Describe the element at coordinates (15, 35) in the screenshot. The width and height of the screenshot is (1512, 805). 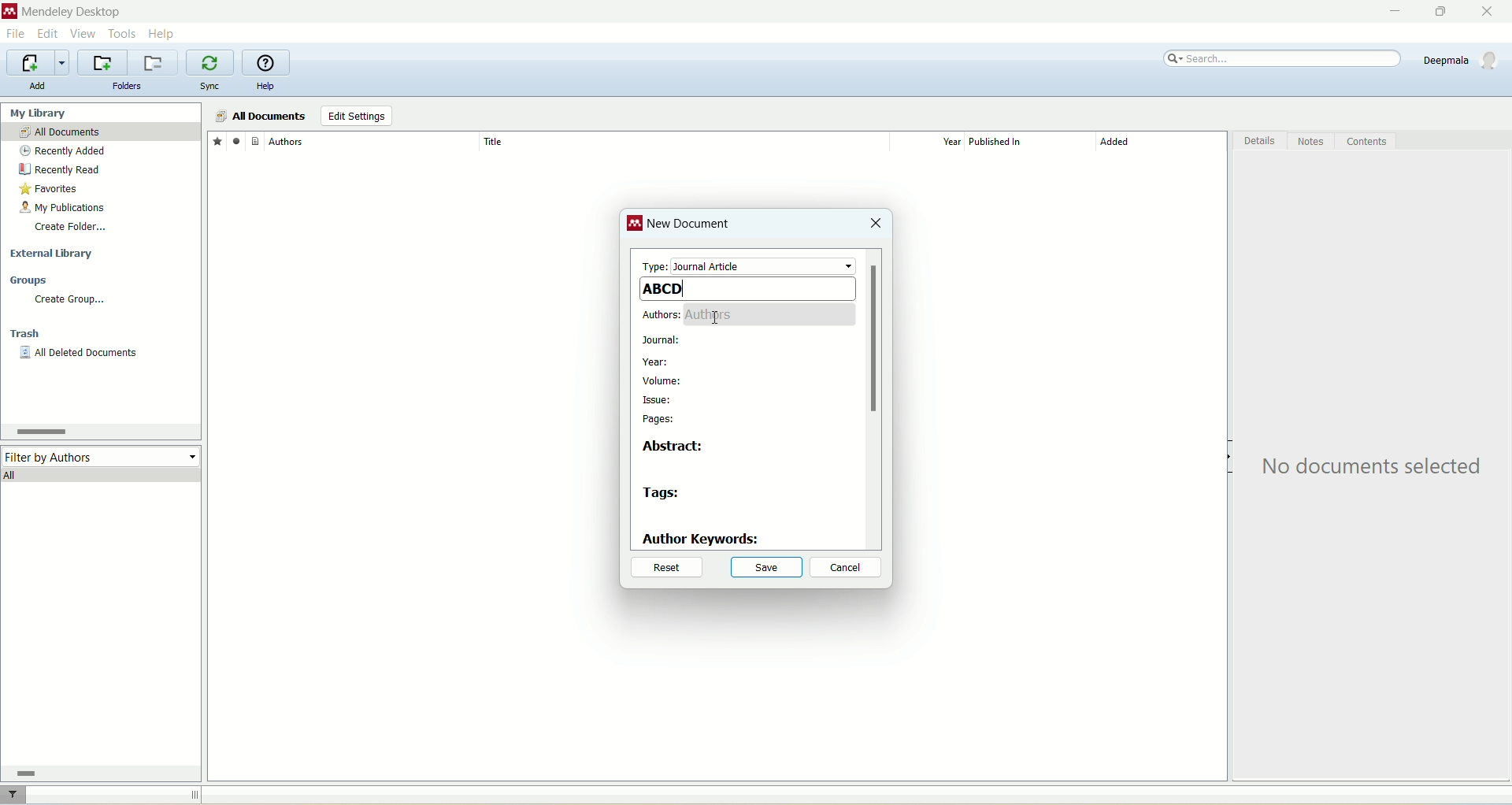
I see `file` at that location.